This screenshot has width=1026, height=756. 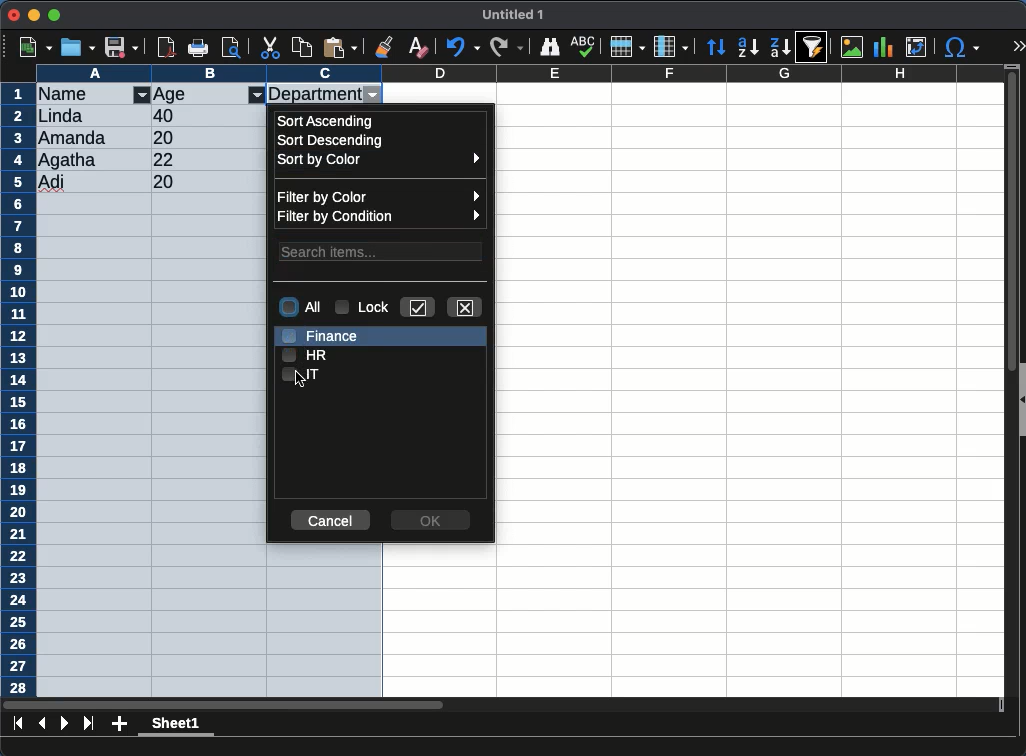 I want to click on adi, so click(x=53, y=183).